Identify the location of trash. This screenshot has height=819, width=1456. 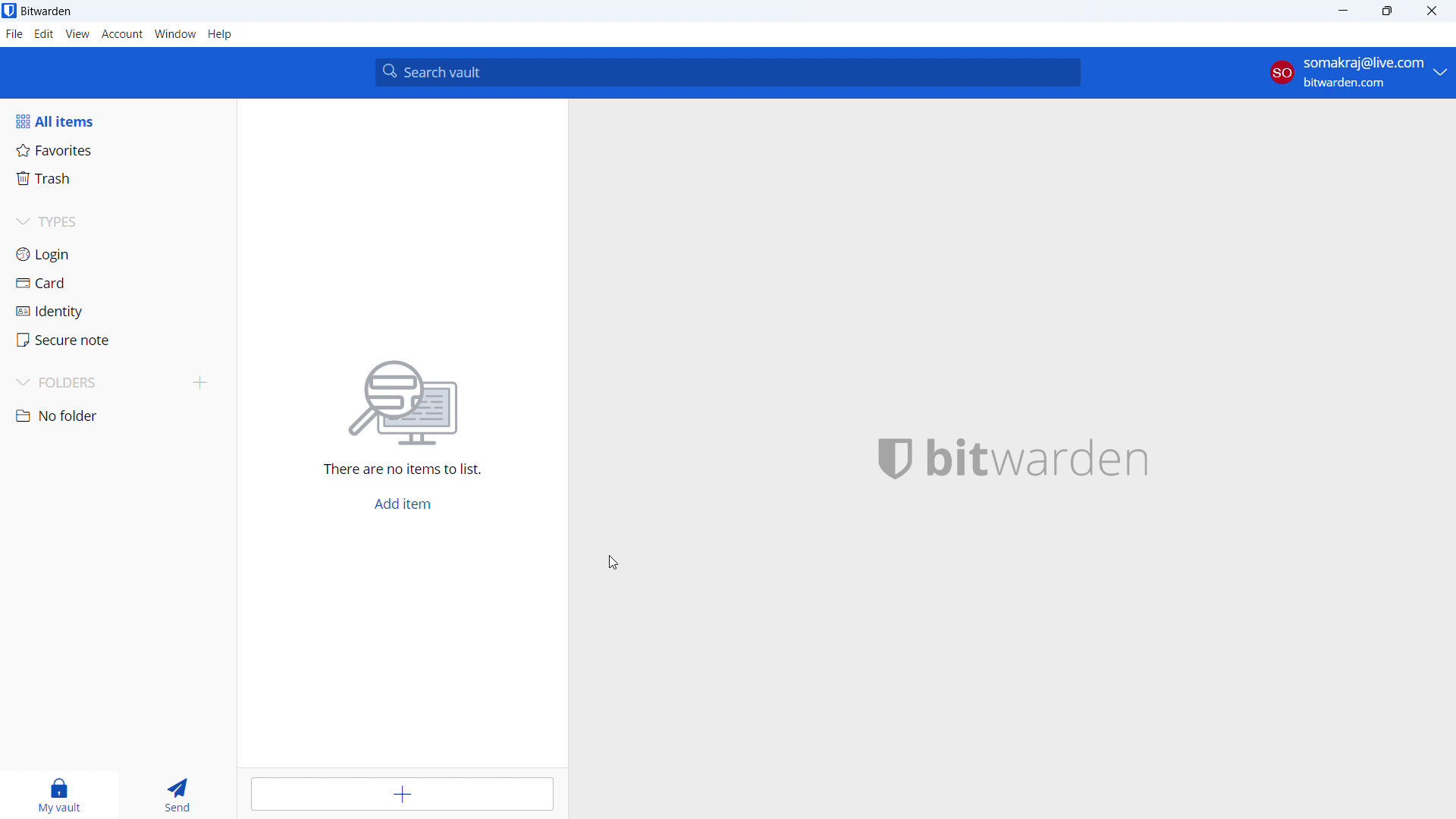
(116, 178).